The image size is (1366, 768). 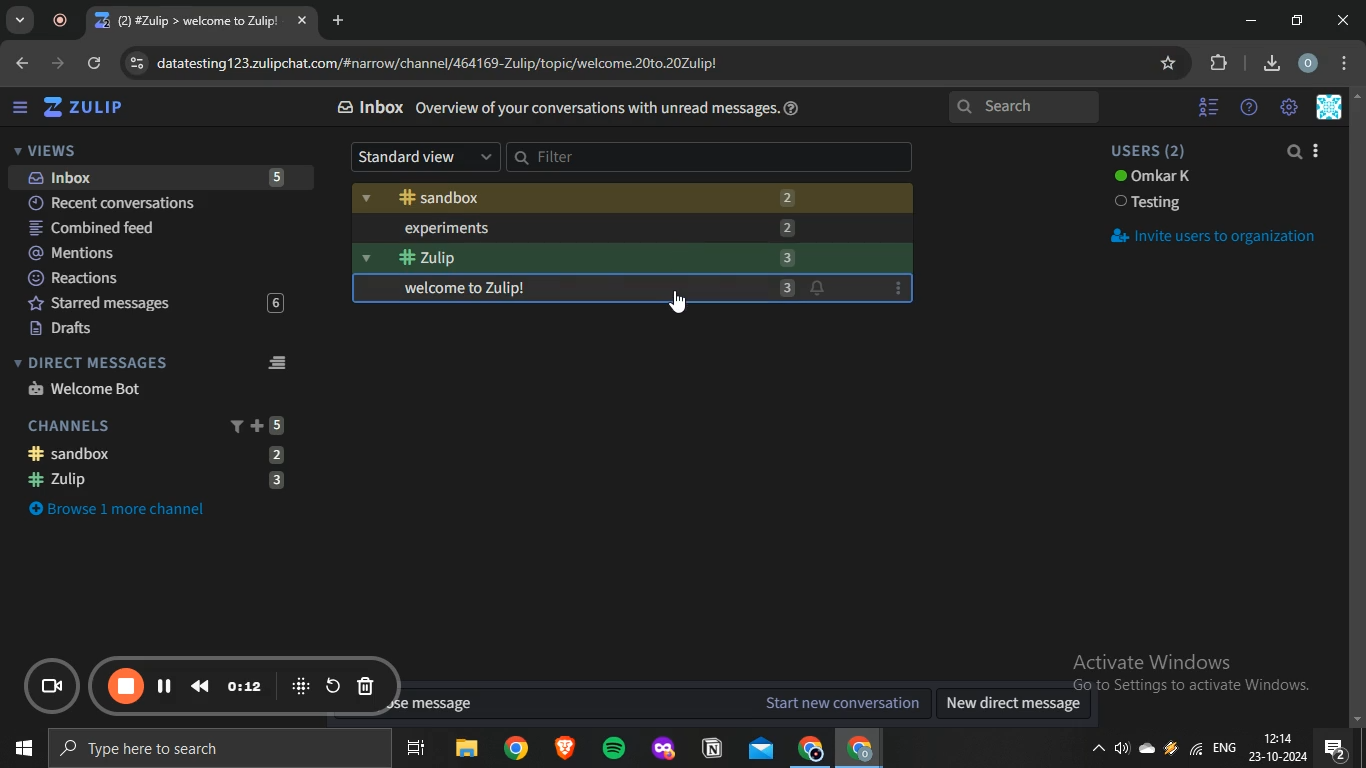 I want to click on go to next page, so click(x=60, y=63).